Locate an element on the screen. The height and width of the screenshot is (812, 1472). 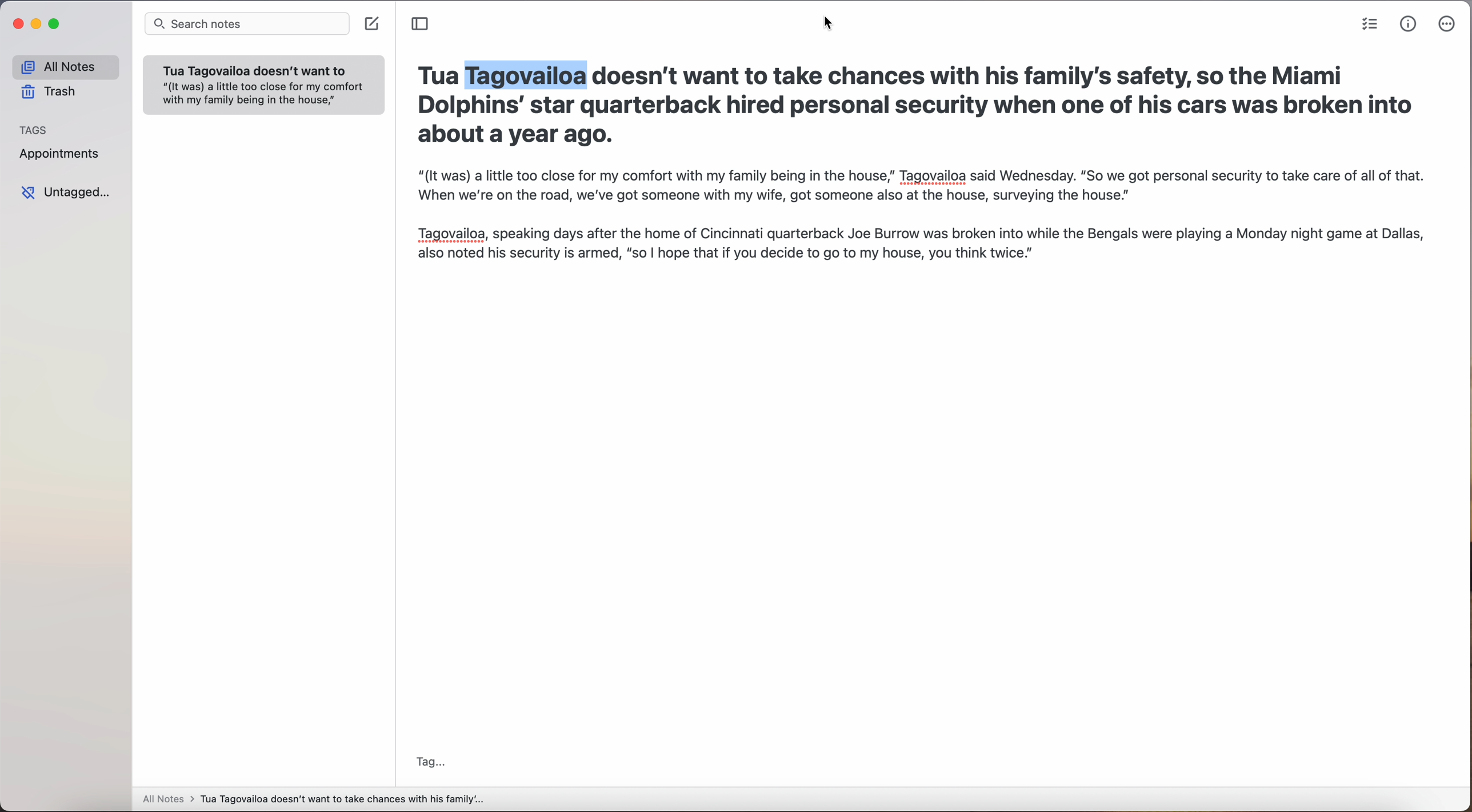
toggle sidebar is located at coordinates (424, 25).